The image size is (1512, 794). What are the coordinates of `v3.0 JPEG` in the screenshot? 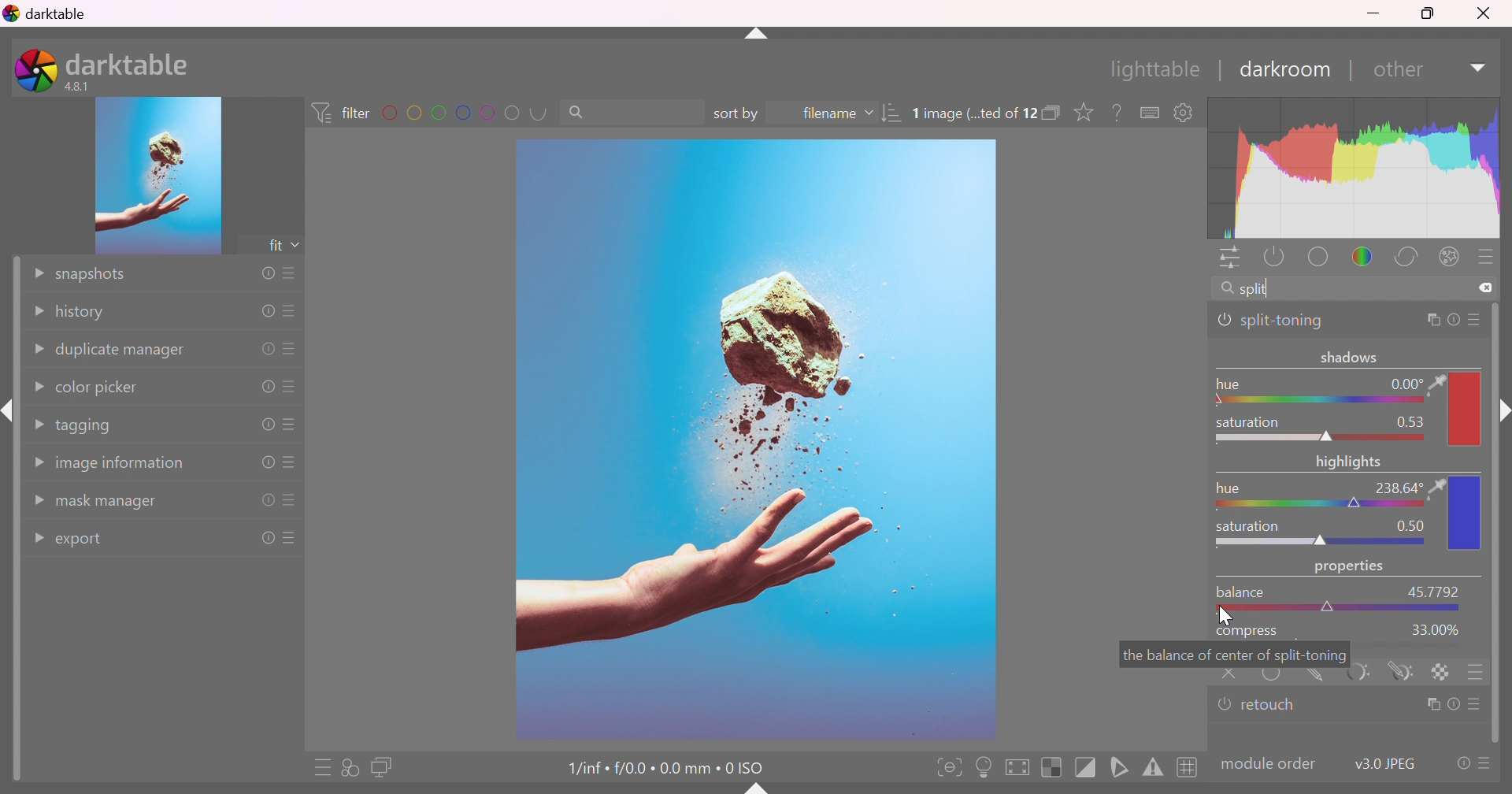 It's located at (1386, 762).